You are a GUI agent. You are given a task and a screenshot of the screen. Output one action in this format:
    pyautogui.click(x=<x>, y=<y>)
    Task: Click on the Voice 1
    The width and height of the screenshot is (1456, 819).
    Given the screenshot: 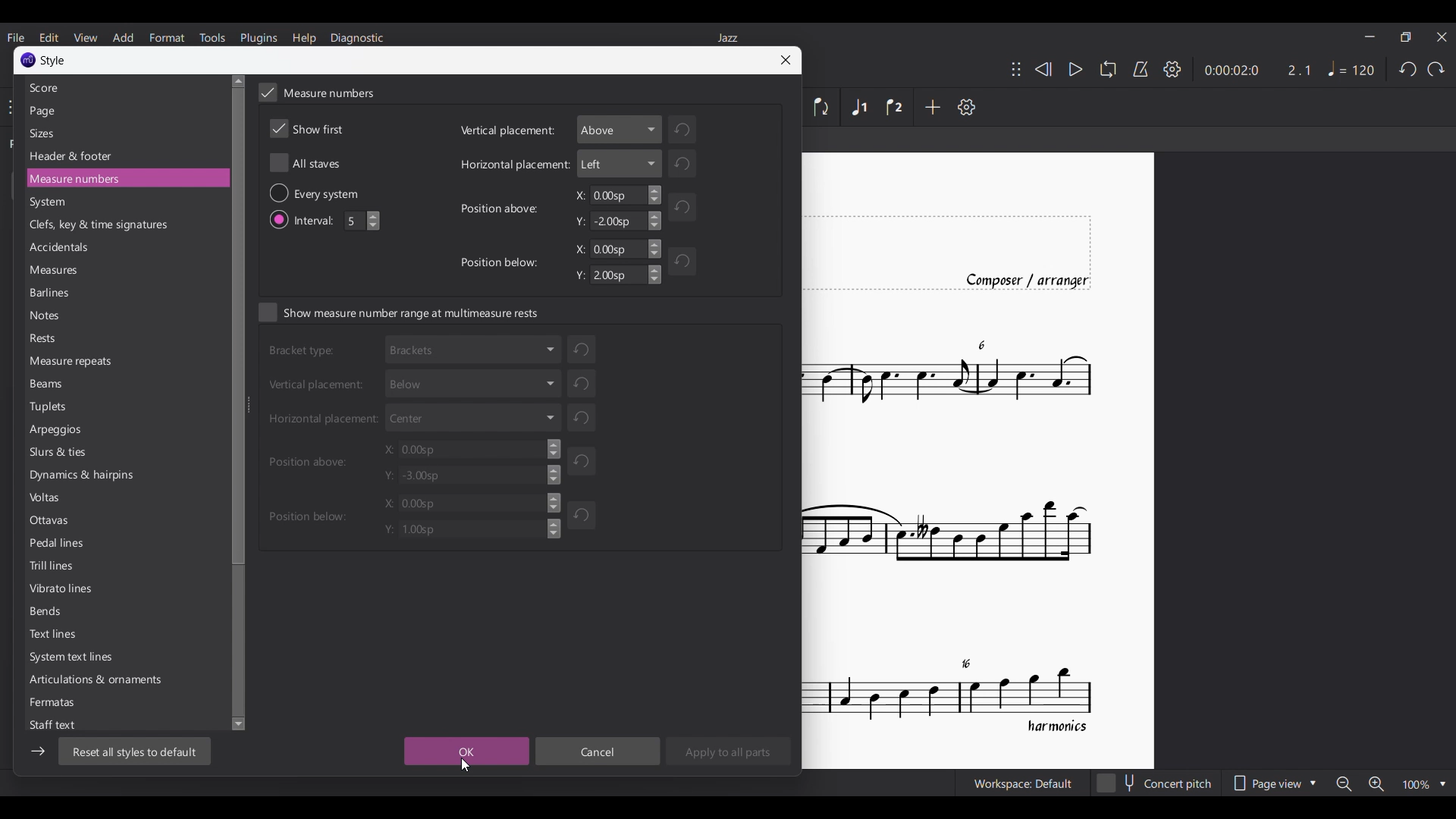 What is the action you would take?
    pyautogui.click(x=858, y=106)
    